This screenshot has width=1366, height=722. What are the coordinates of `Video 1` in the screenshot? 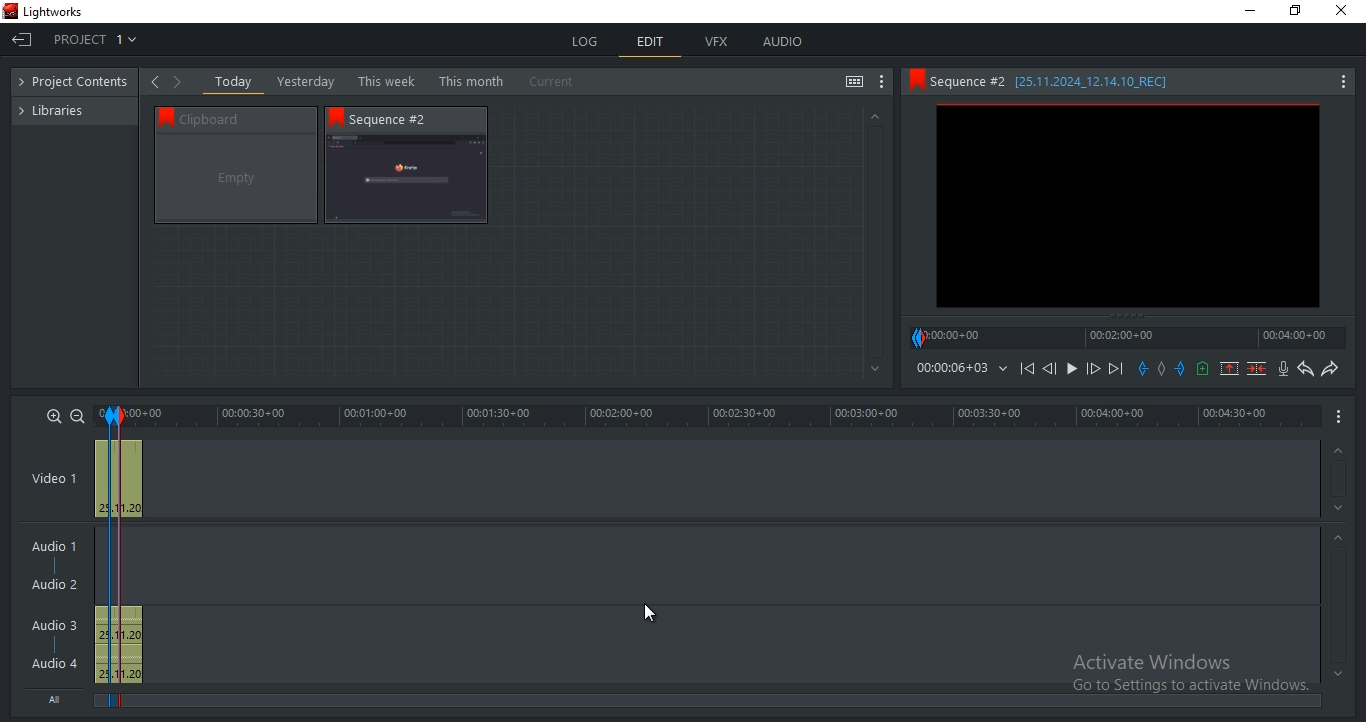 It's located at (54, 480).